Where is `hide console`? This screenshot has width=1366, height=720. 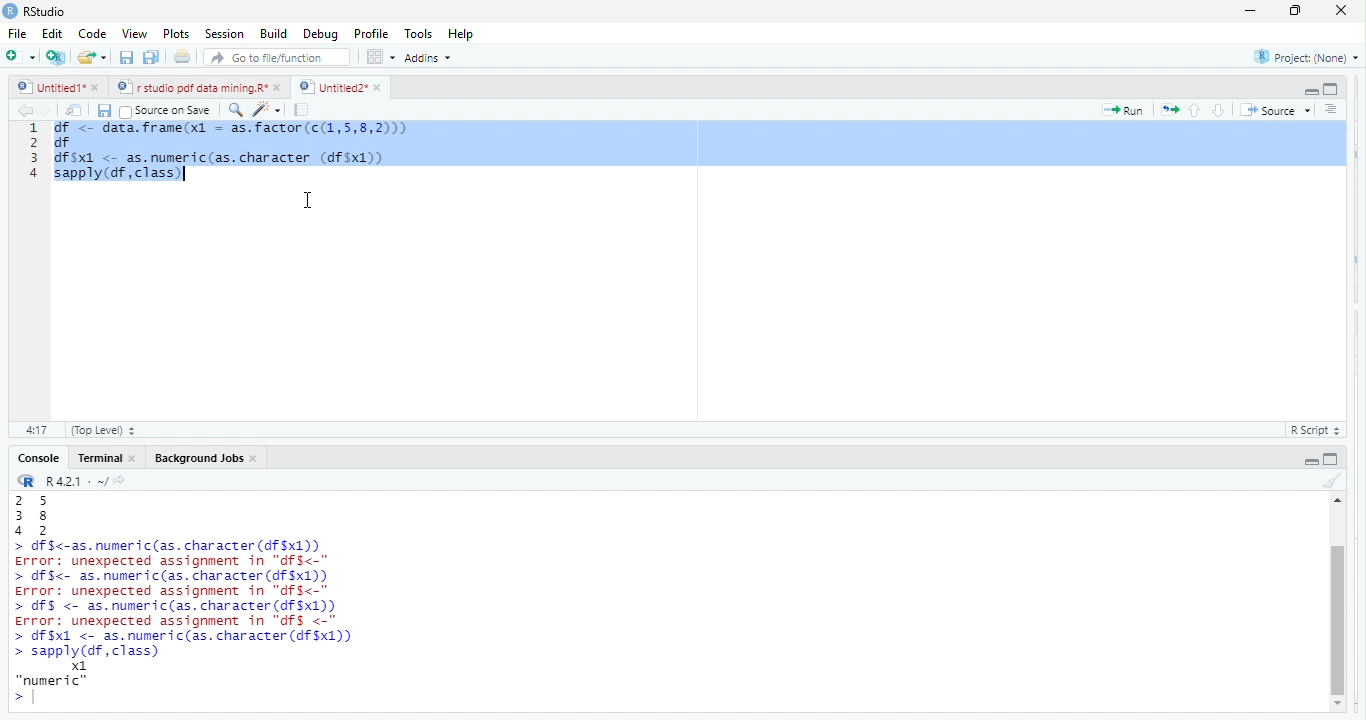 hide console is located at coordinates (1333, 460).